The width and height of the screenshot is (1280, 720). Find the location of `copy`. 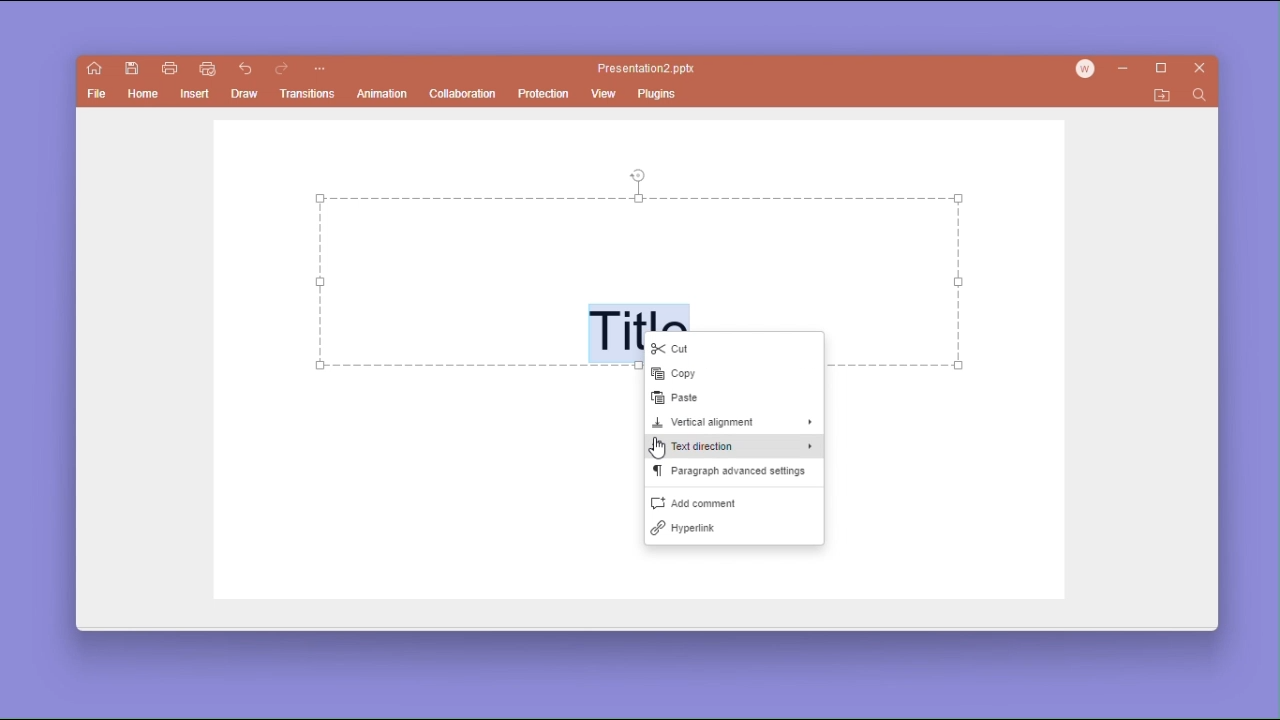

copy is located at coordinates (734, 375).